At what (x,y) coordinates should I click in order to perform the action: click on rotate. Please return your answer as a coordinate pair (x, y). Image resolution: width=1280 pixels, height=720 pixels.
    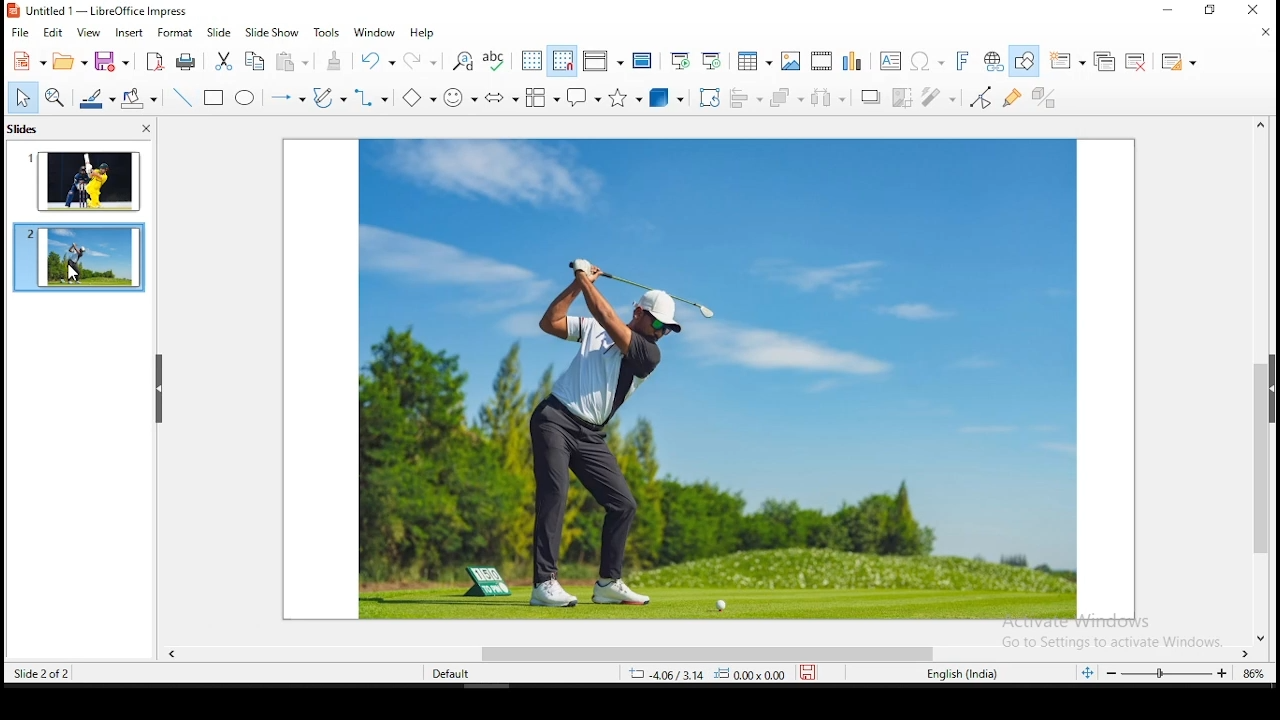
    Looking at the image, I should click on (709, 99).